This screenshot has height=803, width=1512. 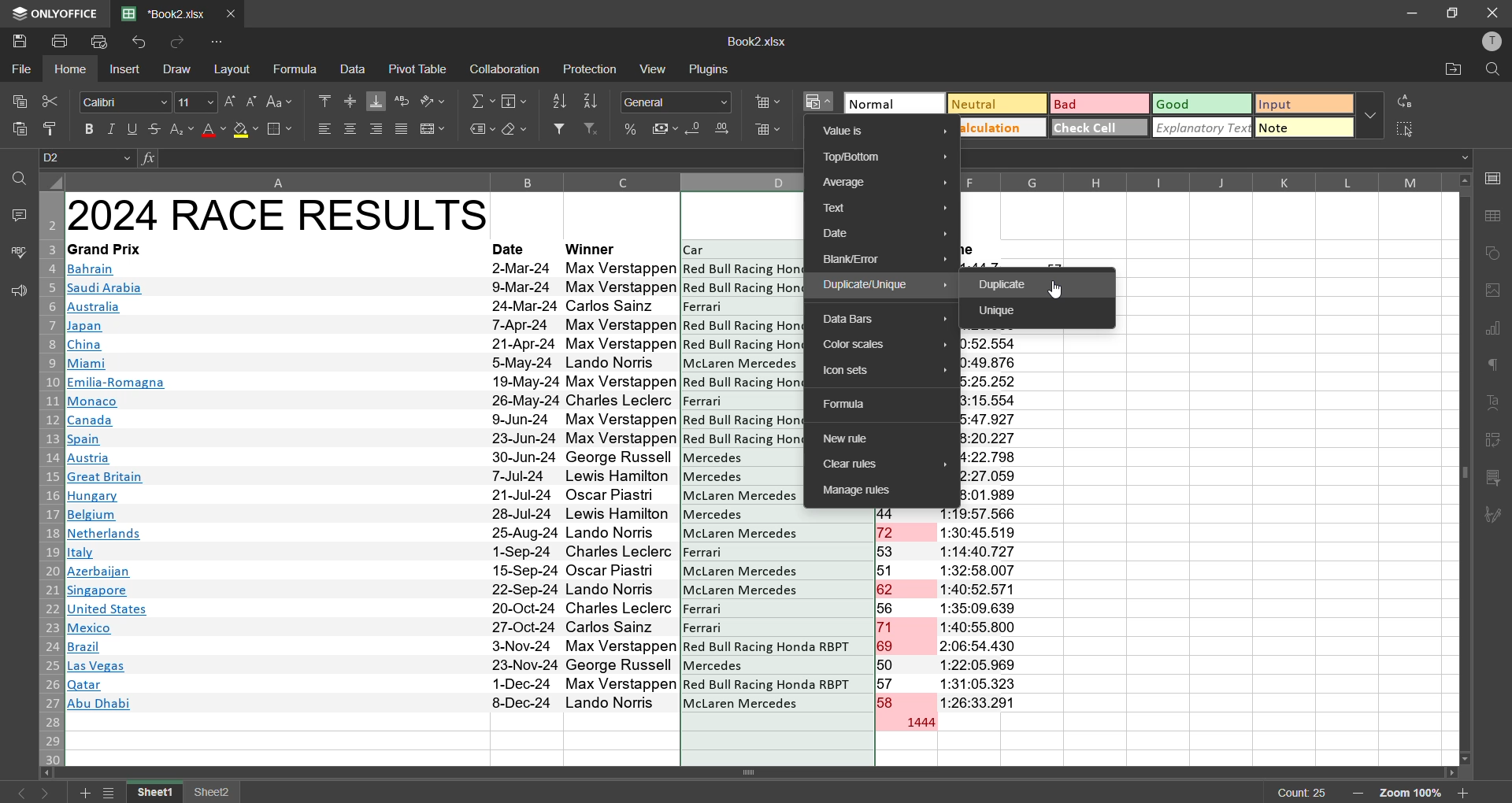 I want to click on more options, so click(x=1369, y=114).